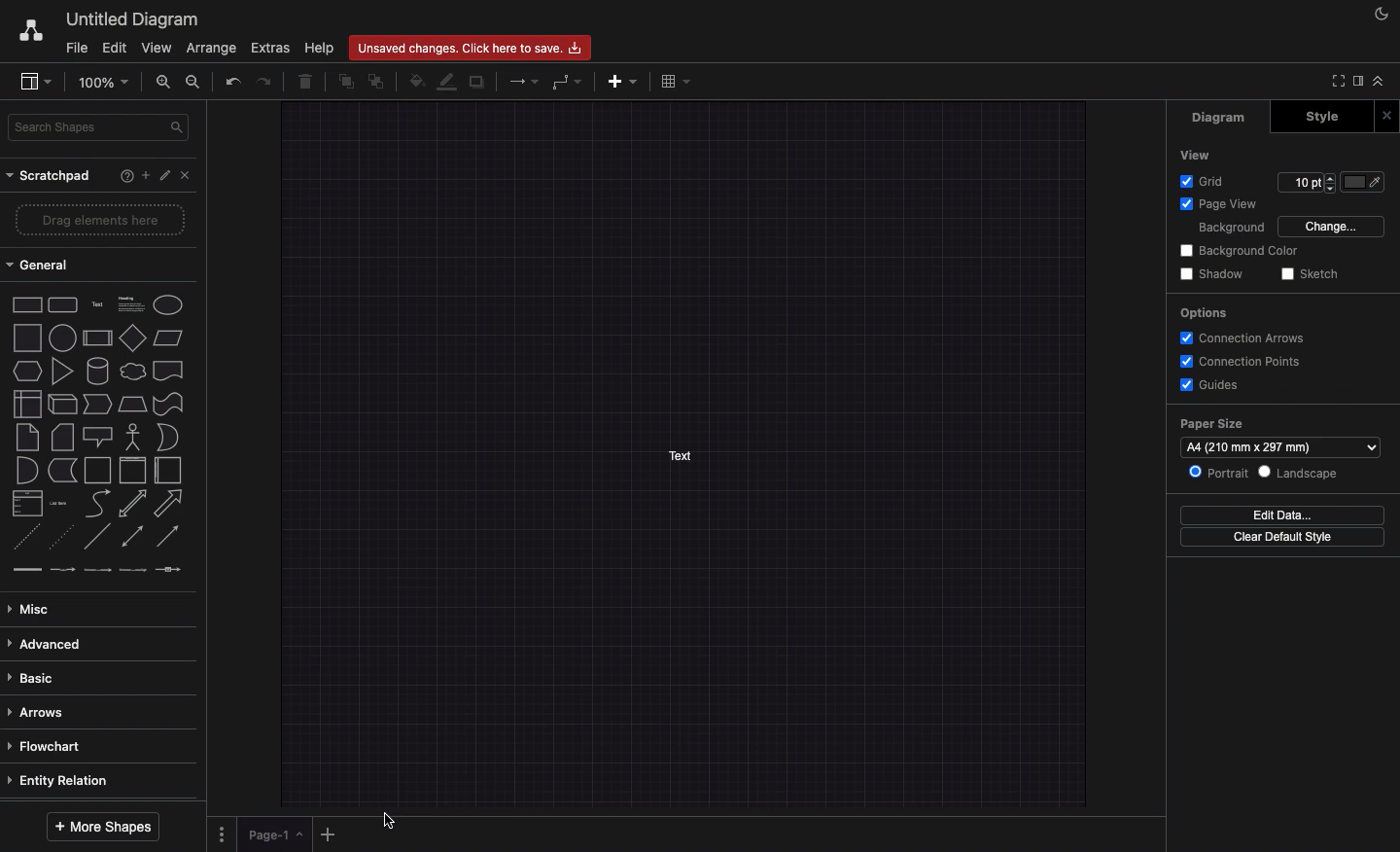 This screenshot has width=1400, height=852. I want to click on Add, so click(145, 175).